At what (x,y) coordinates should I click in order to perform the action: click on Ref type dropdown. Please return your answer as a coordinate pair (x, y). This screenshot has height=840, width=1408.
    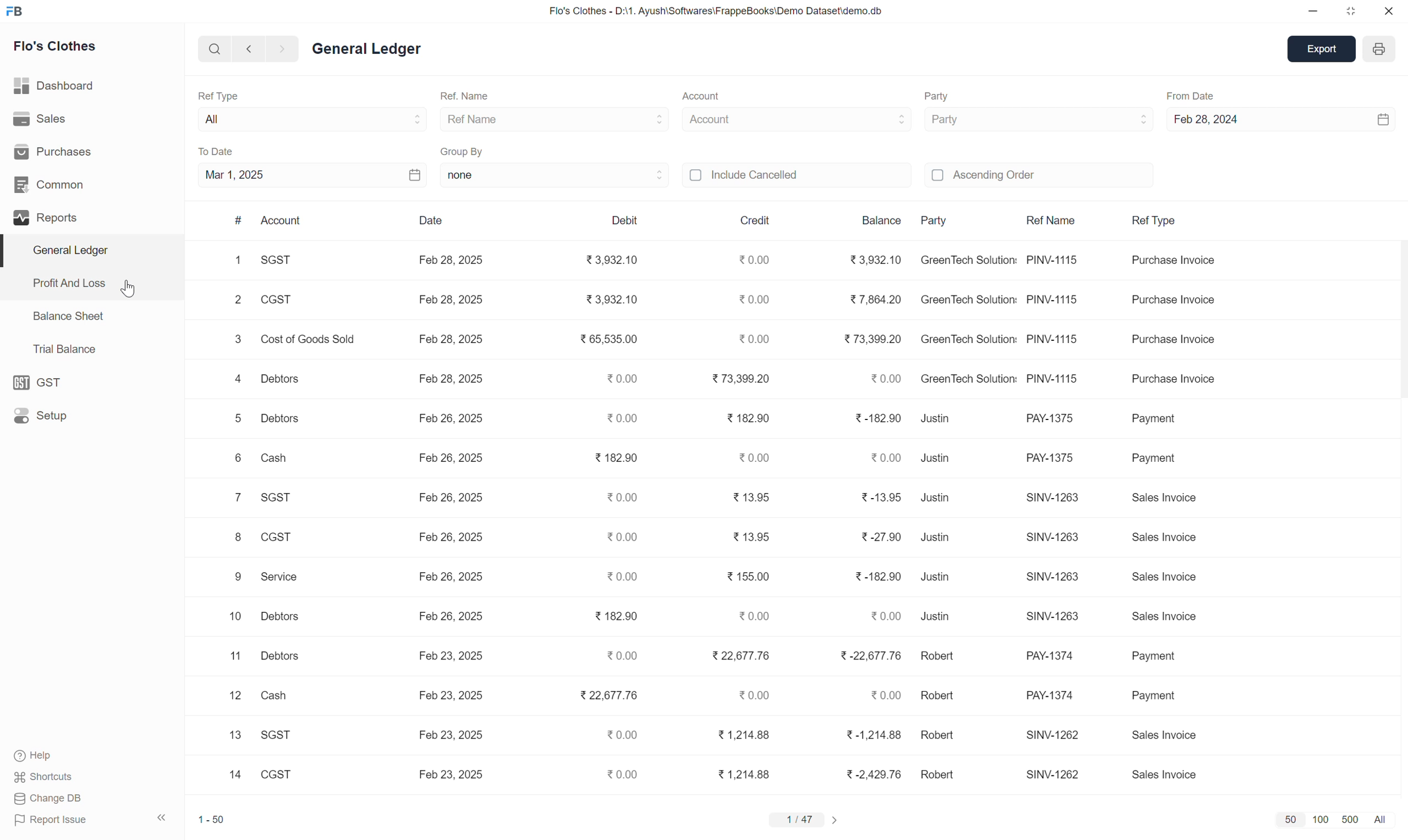
    Looking at the image, I should click on (386, 122).